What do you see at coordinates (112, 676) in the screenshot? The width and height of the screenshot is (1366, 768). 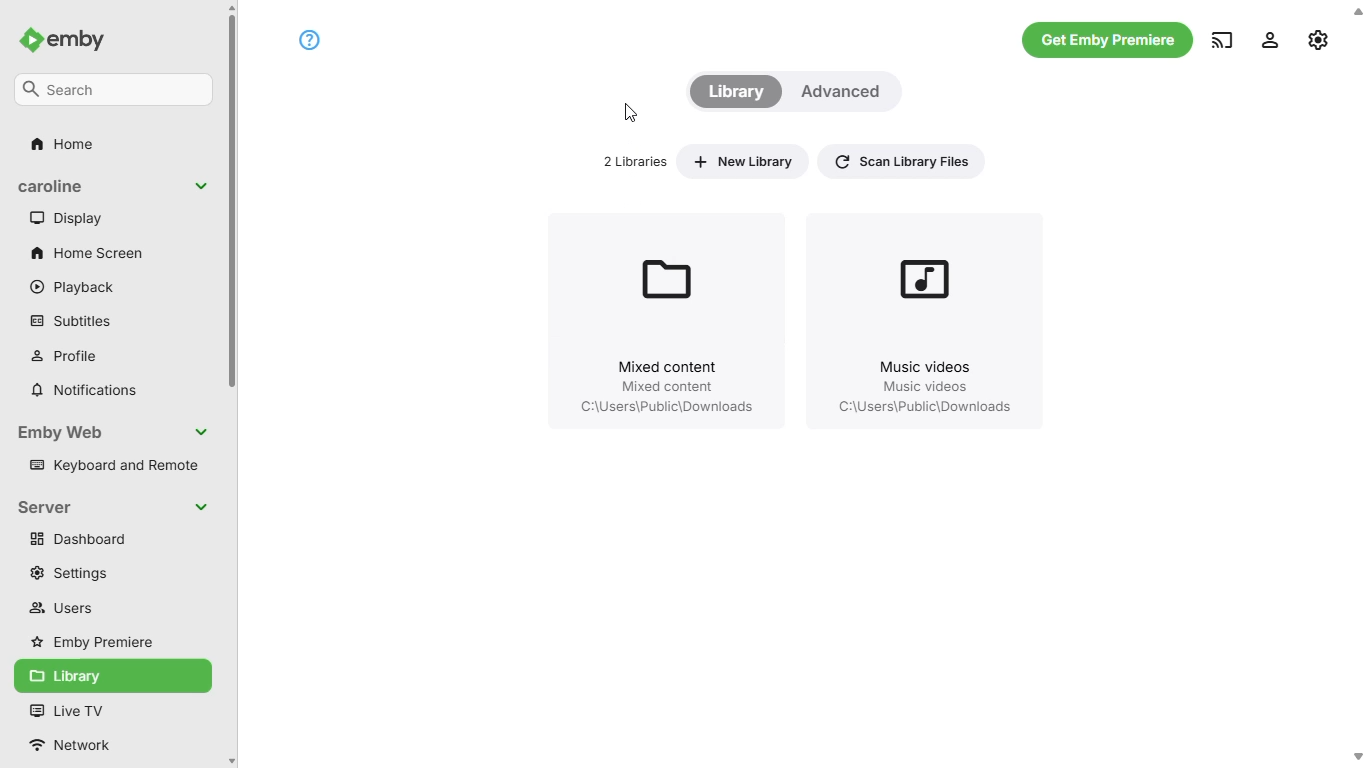 I see `library` at bounding box center [112, 676].